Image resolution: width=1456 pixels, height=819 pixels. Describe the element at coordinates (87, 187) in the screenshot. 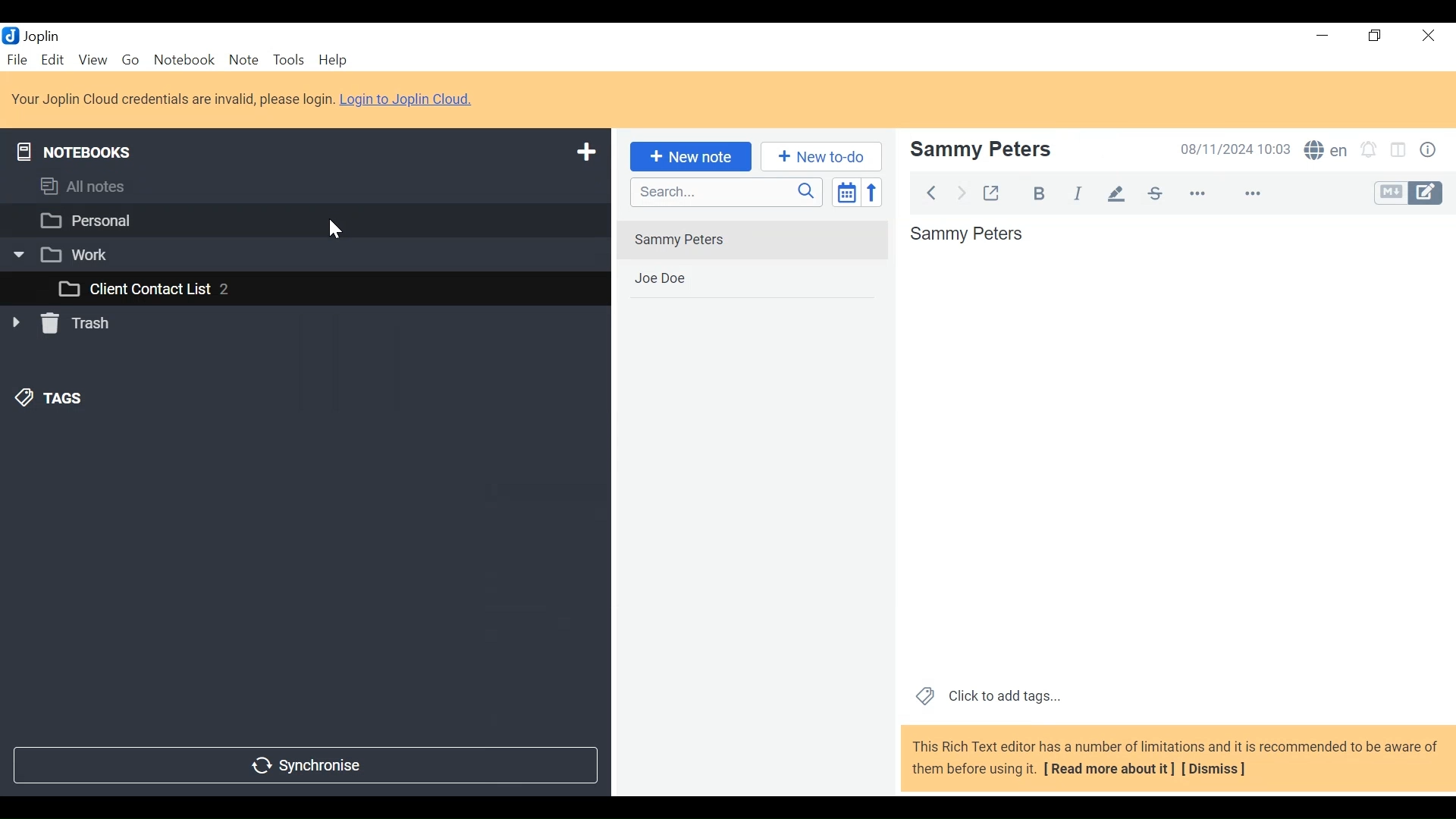

I see `All notes` at that location.